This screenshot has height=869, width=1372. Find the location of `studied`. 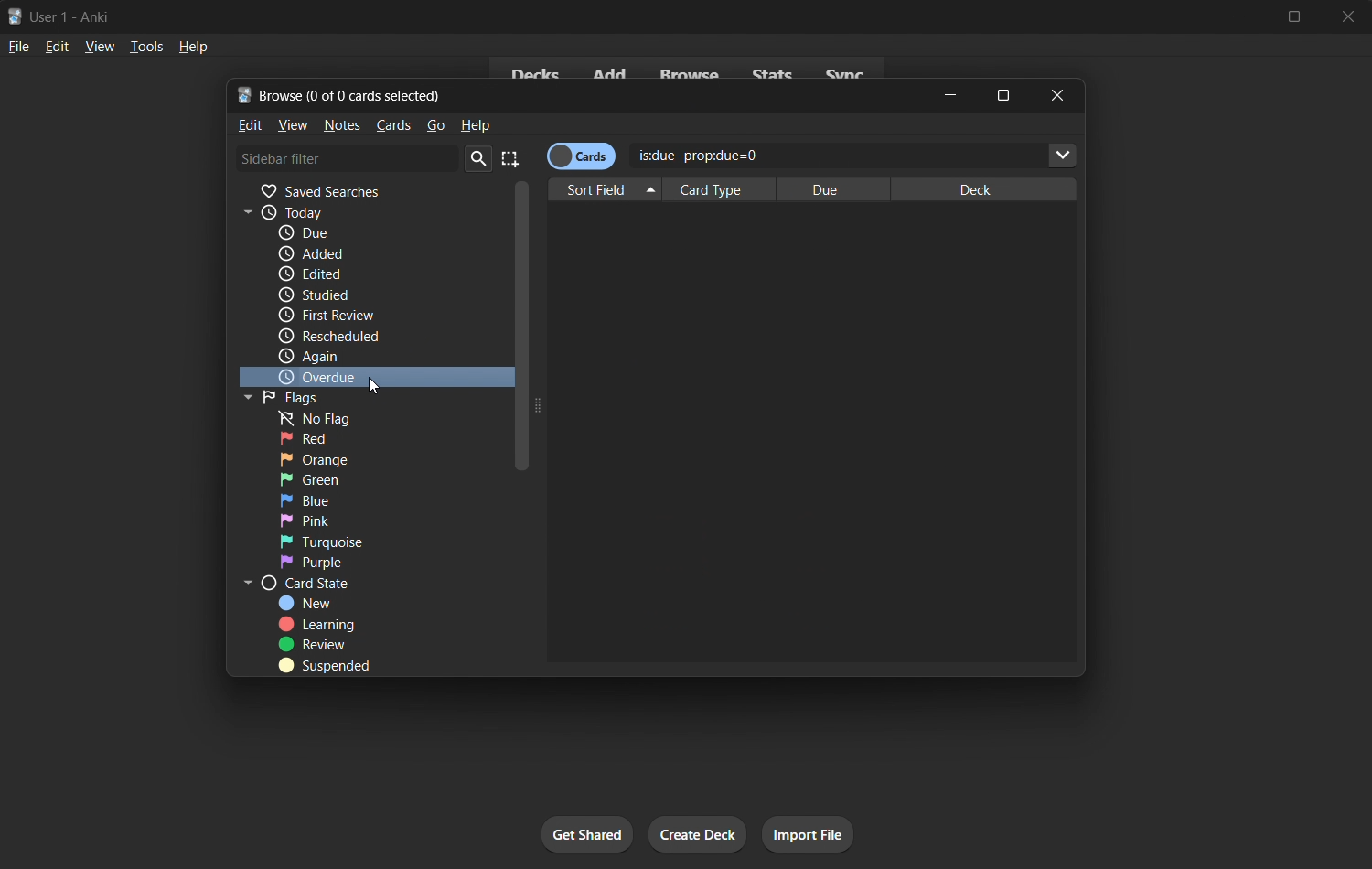

studied is located at coordinates (372, 295).